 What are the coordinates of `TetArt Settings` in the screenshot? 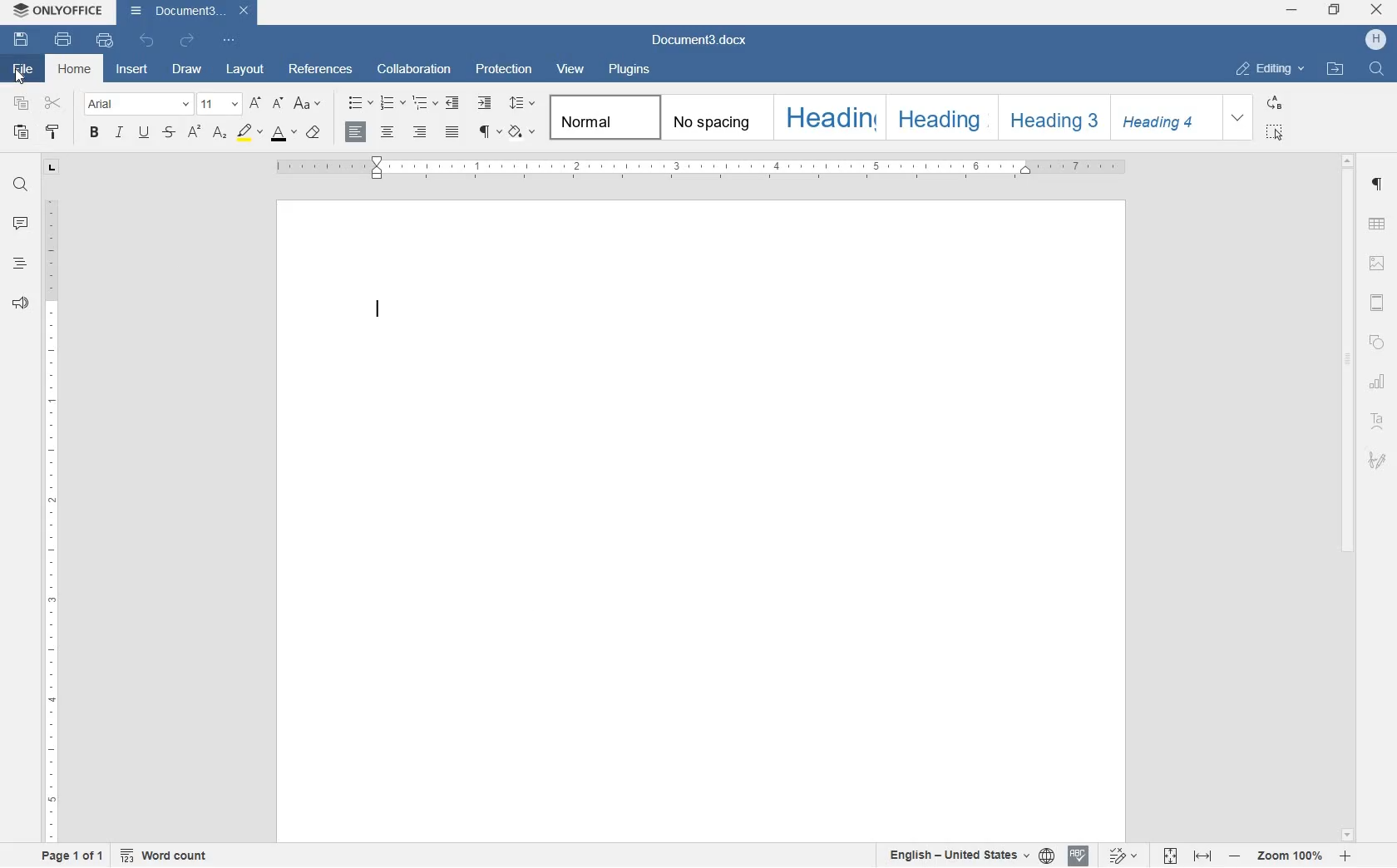 It's located at (1378, 420).